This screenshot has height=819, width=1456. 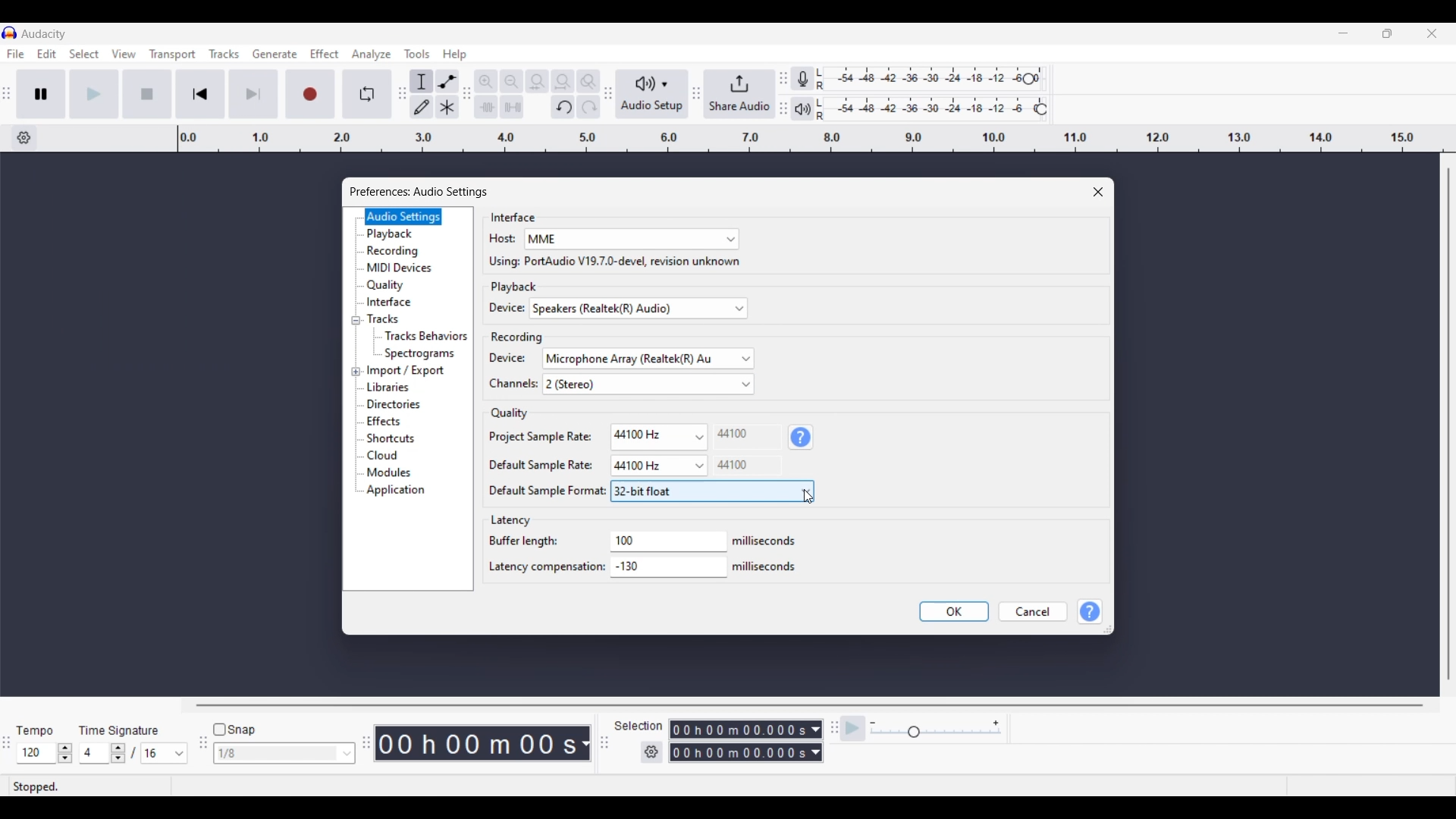 What do you see at coordinates (400, 473) in the screenshot?
I see `Modules` at bounding box center [400, 473].